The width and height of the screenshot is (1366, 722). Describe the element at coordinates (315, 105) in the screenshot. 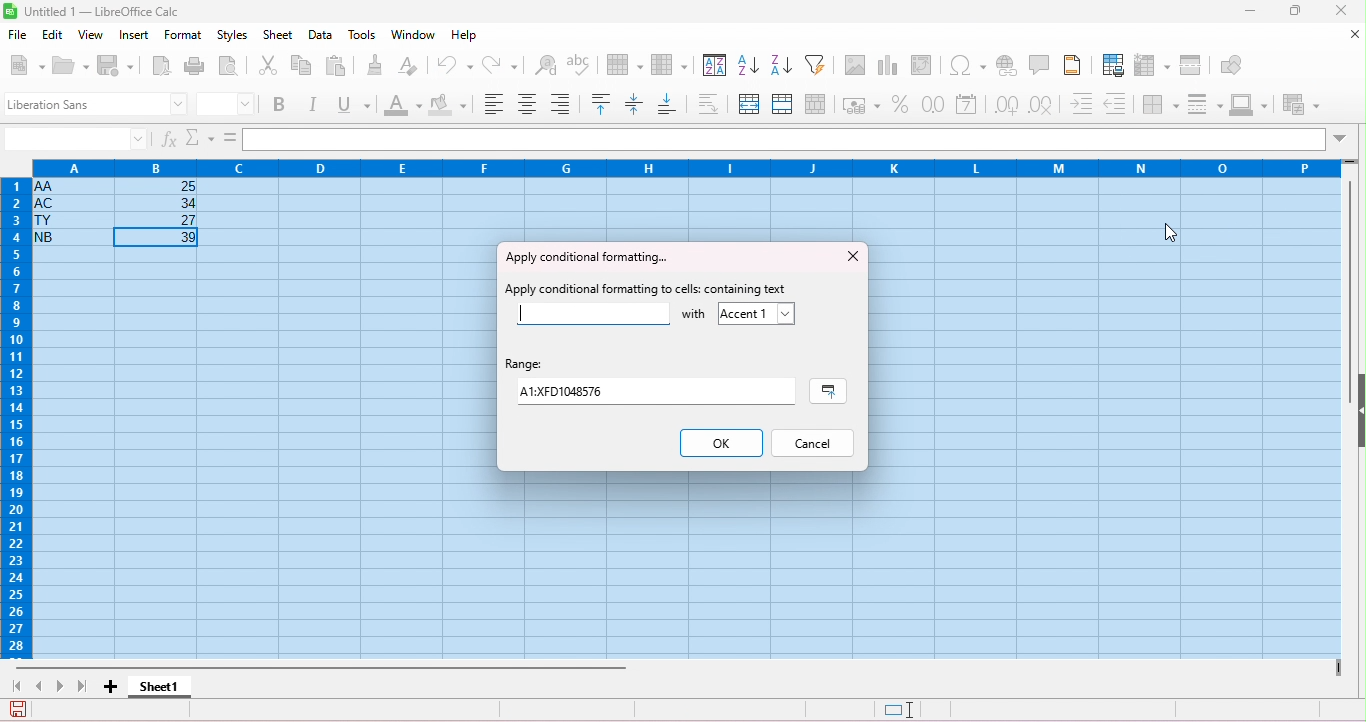

I see `italics` at that location.